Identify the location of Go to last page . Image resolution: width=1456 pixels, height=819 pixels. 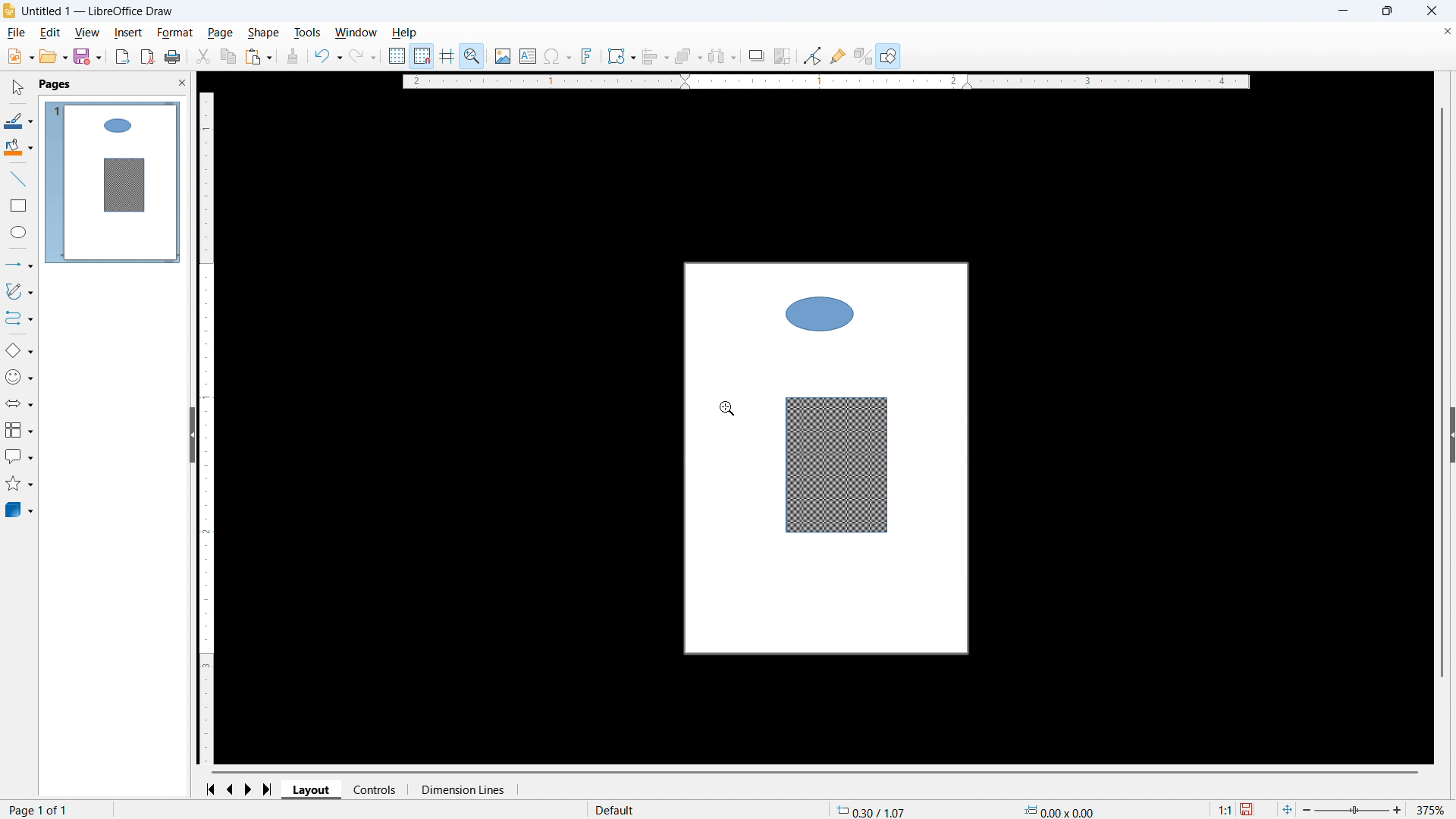
(268, 789).